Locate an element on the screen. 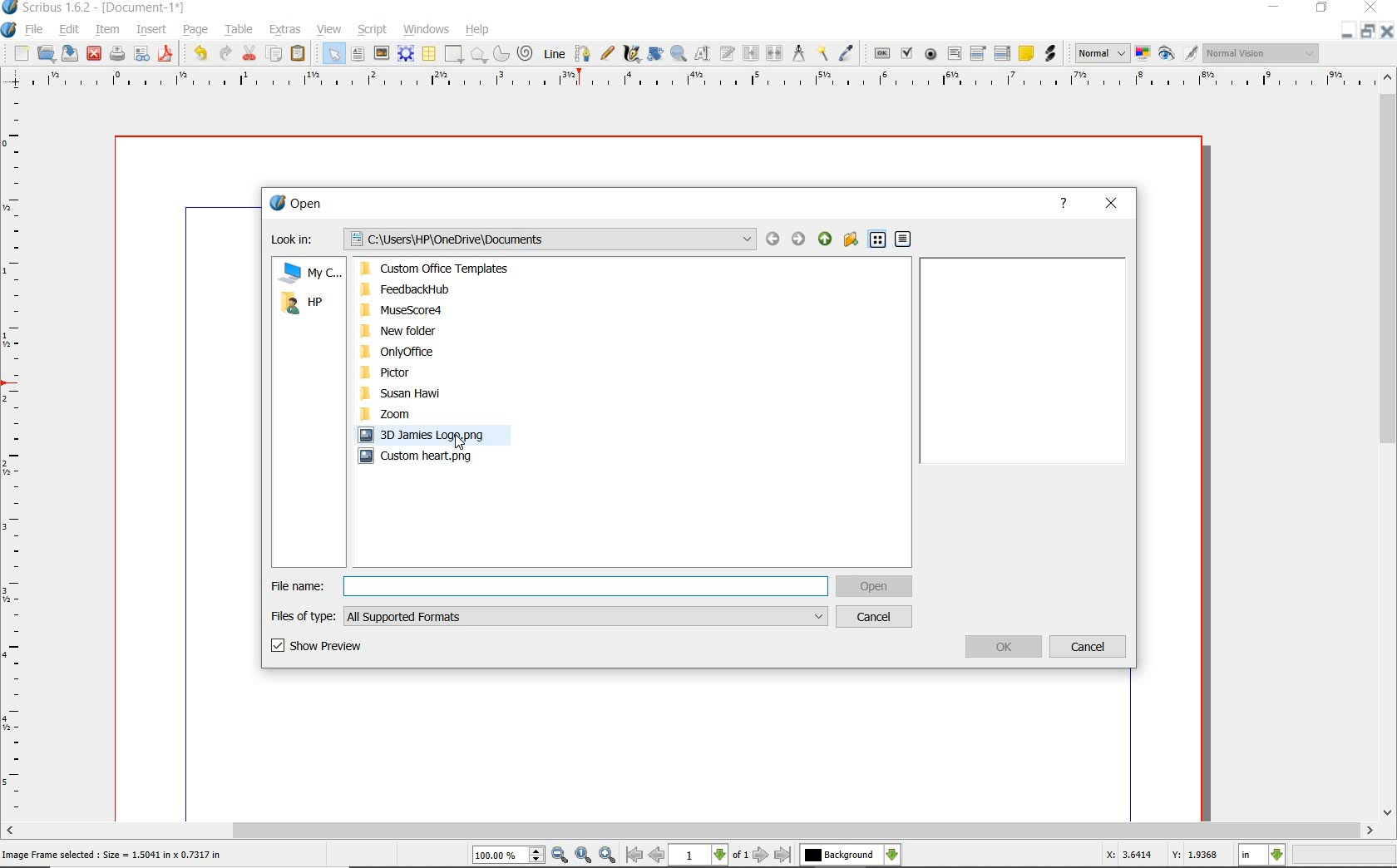 The height and width of the screenshot is (868, 1397). cut is located at coordinates (251, 52).